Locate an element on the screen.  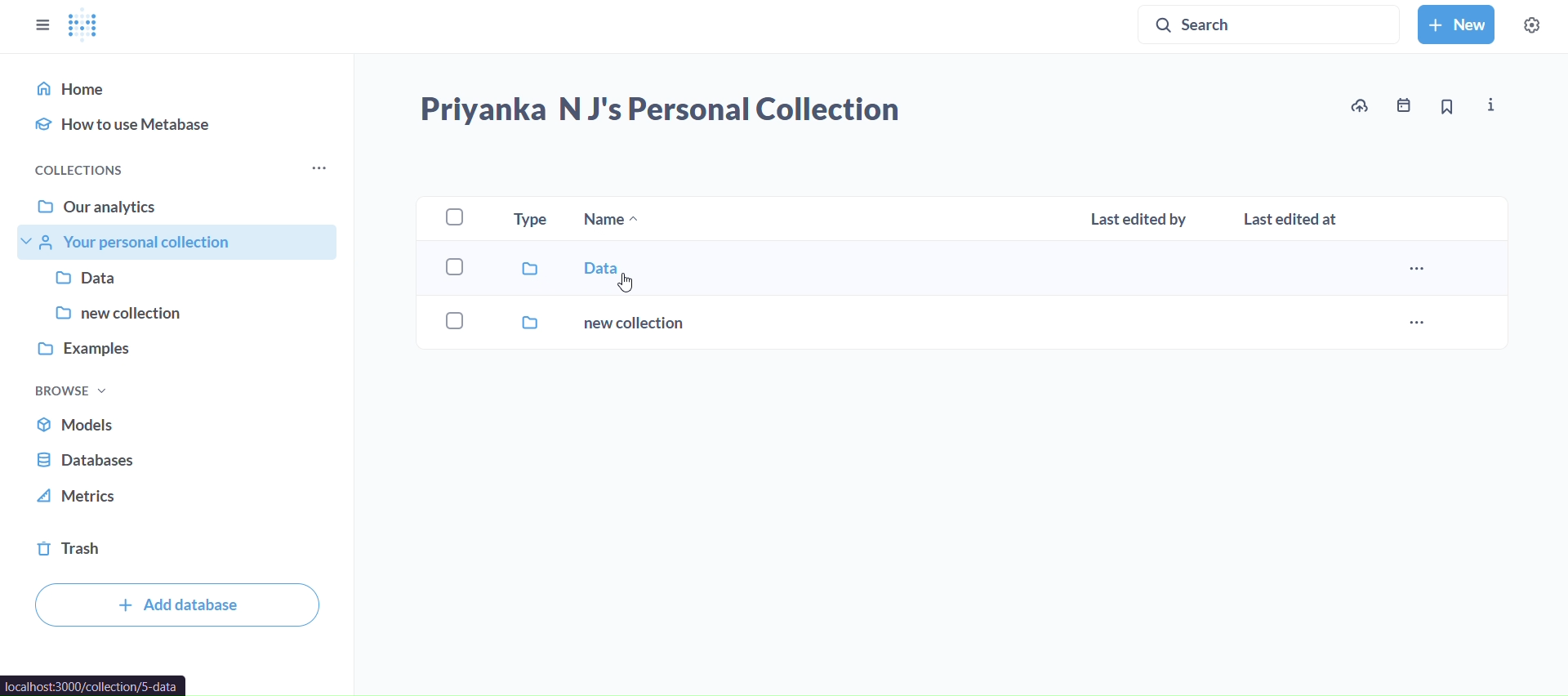
priyanka N J's personal collection is located at coordinates (667, 109).